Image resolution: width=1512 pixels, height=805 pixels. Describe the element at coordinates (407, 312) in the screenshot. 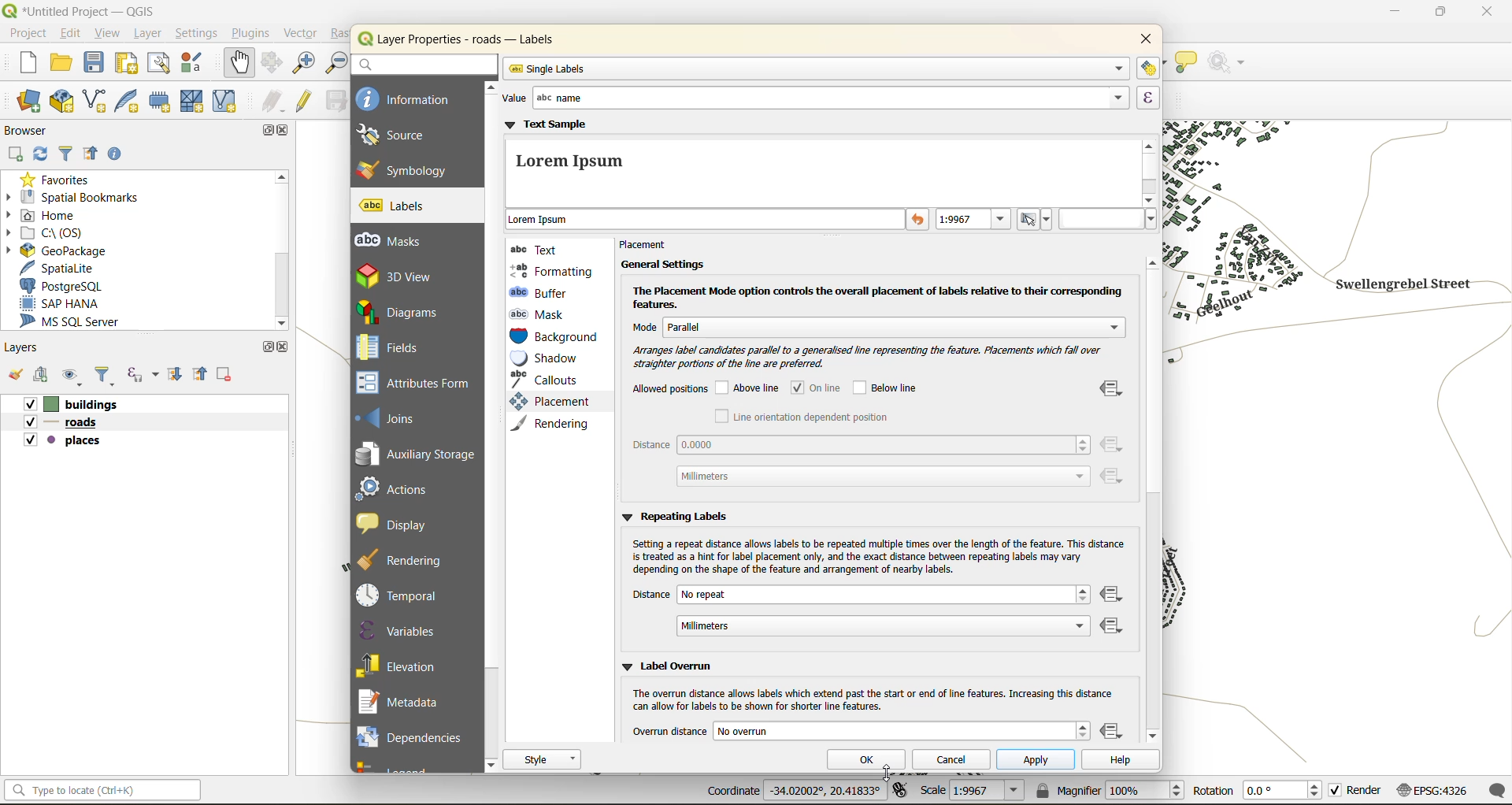

I see `diagrams` at that location.